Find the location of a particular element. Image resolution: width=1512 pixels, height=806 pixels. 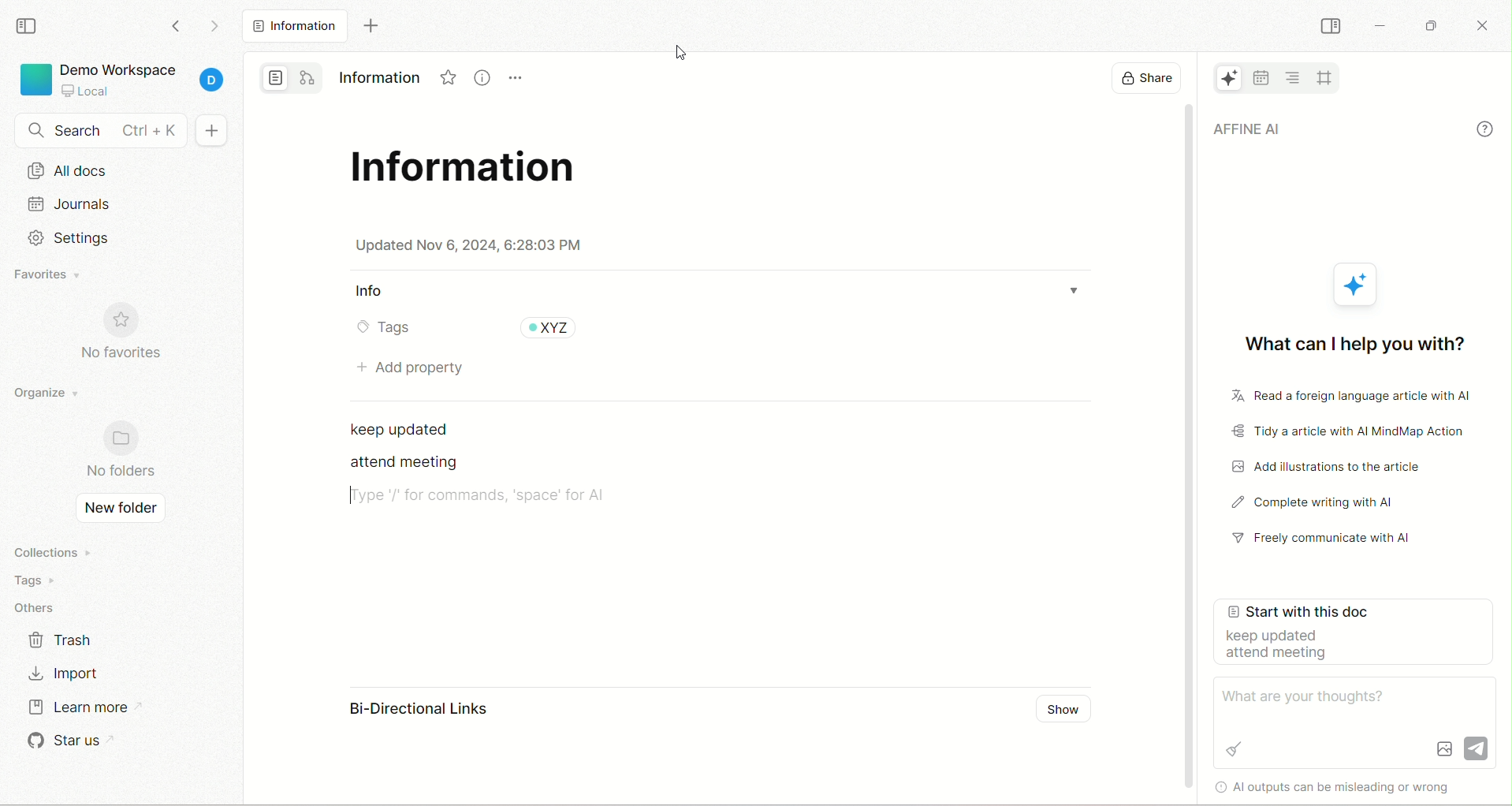

collapse sidebar is located at coordinates (1330, 25).